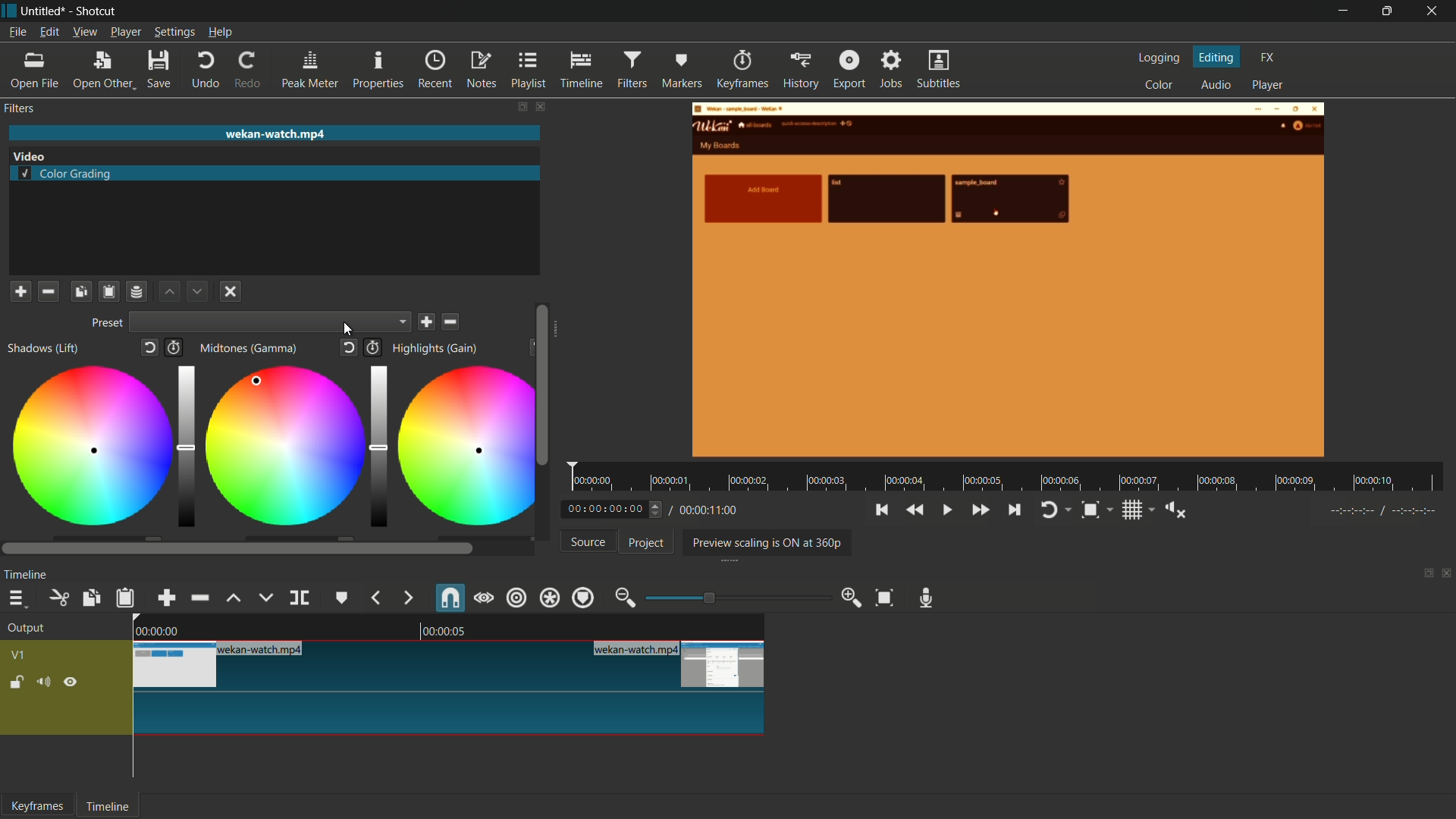 Image resolution: width=1456 pixels, height=819 pixels. What do you see at coordinates (437, 349) in the screenshot?
I see `highlights(gain)` at bounding box center [437, 349].